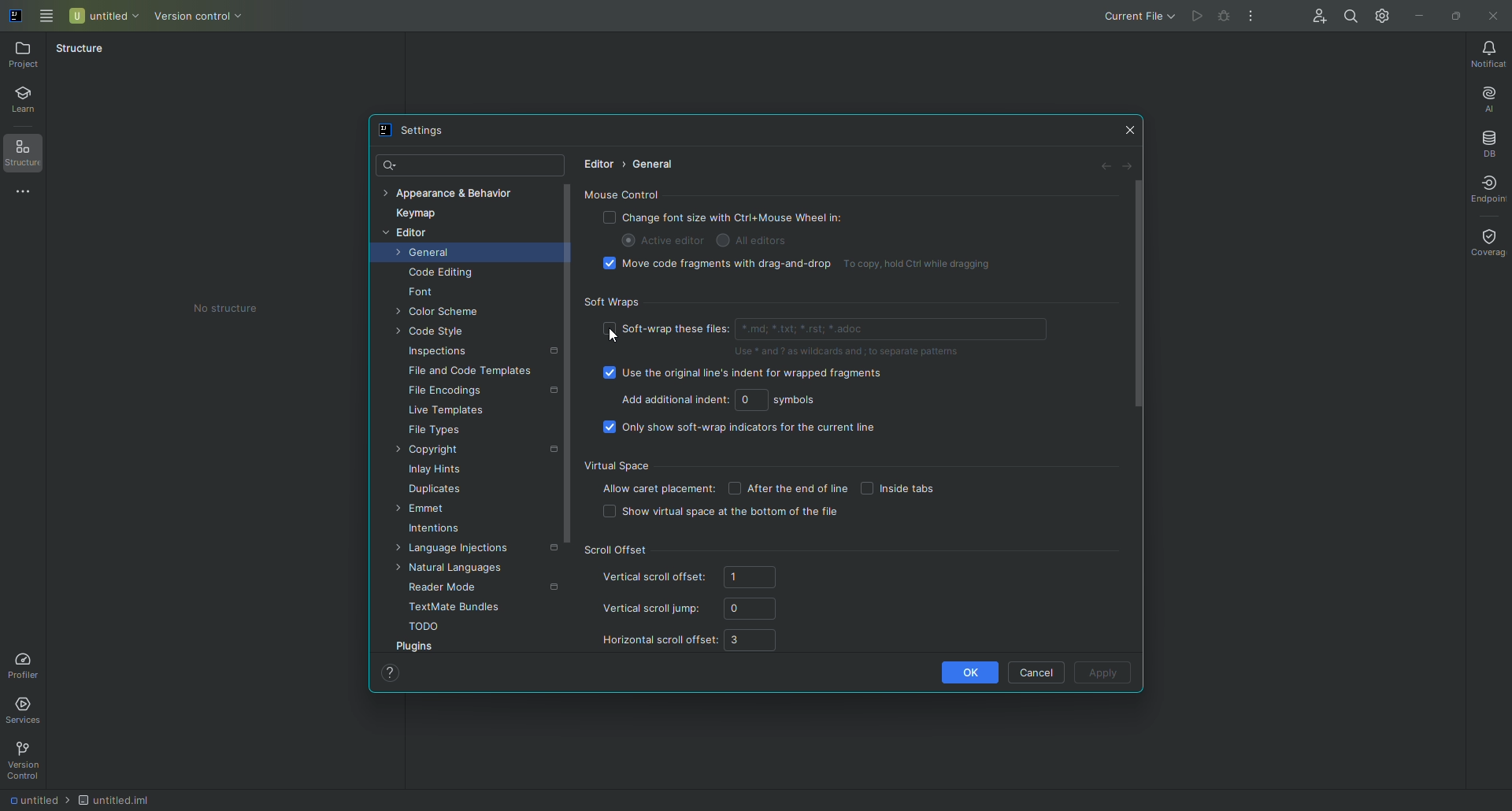 This screenshot has width=1512, height=811. Describe the element at coordinates (1037, 672) in the screenshot. I see `Cancel` at that location.